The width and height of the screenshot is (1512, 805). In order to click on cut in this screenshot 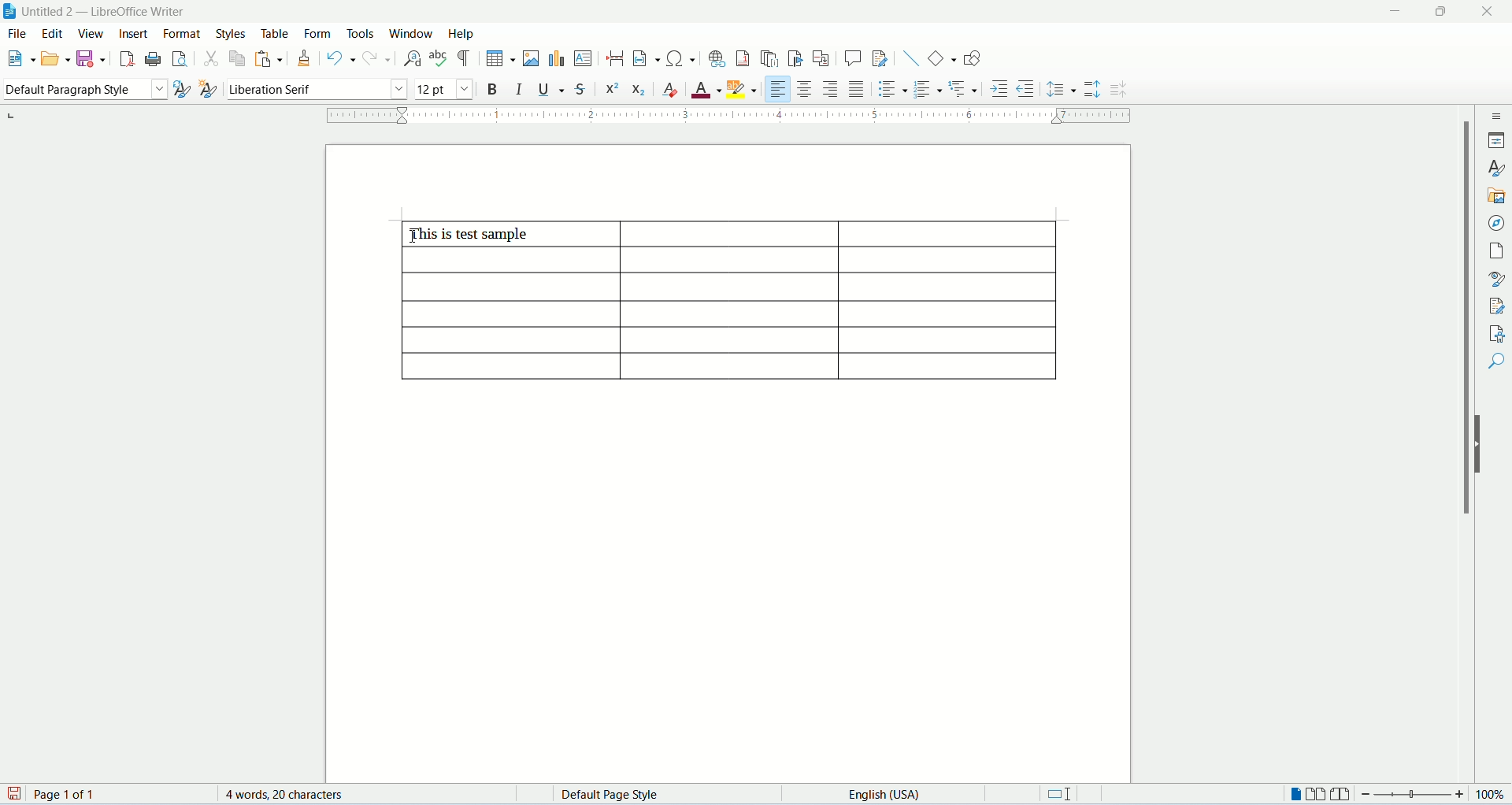, I will do `click(211, 57)`.